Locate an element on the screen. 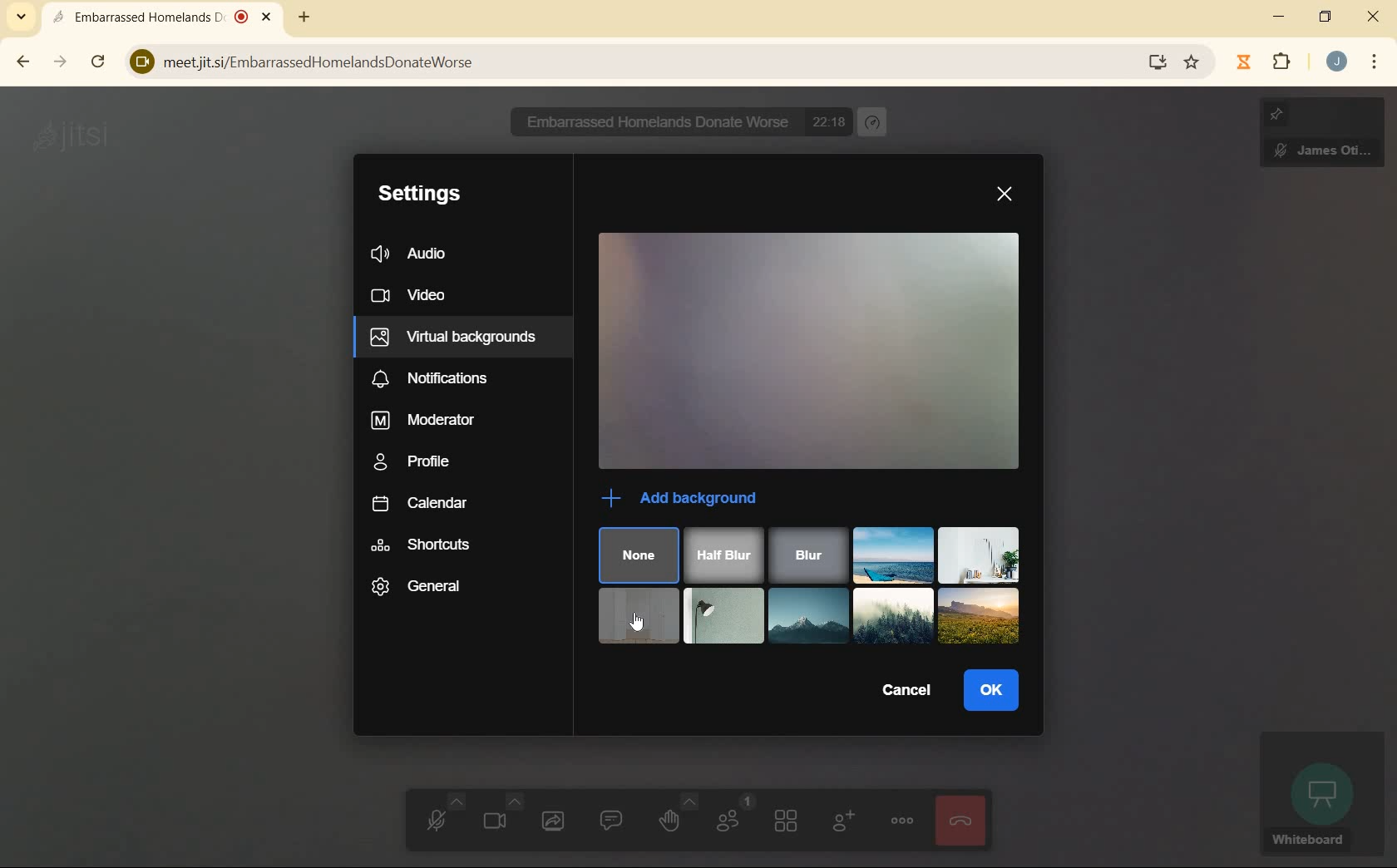 The width and height of the screenshot is (1397, 868). audio is located at coordinates (412, 254).